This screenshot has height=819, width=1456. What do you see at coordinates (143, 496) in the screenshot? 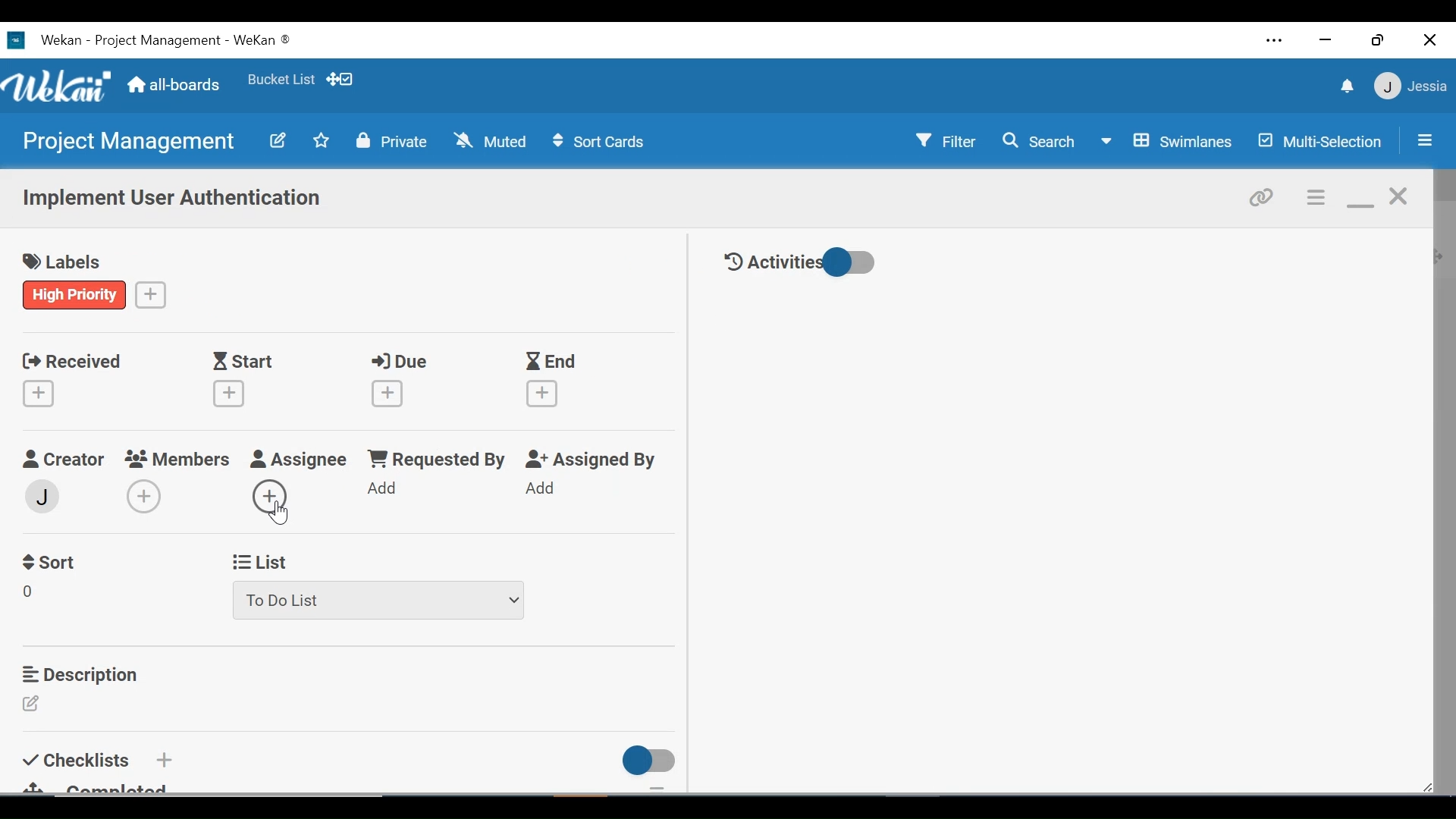
I see `Add Member` at bounding box center [143, 496].